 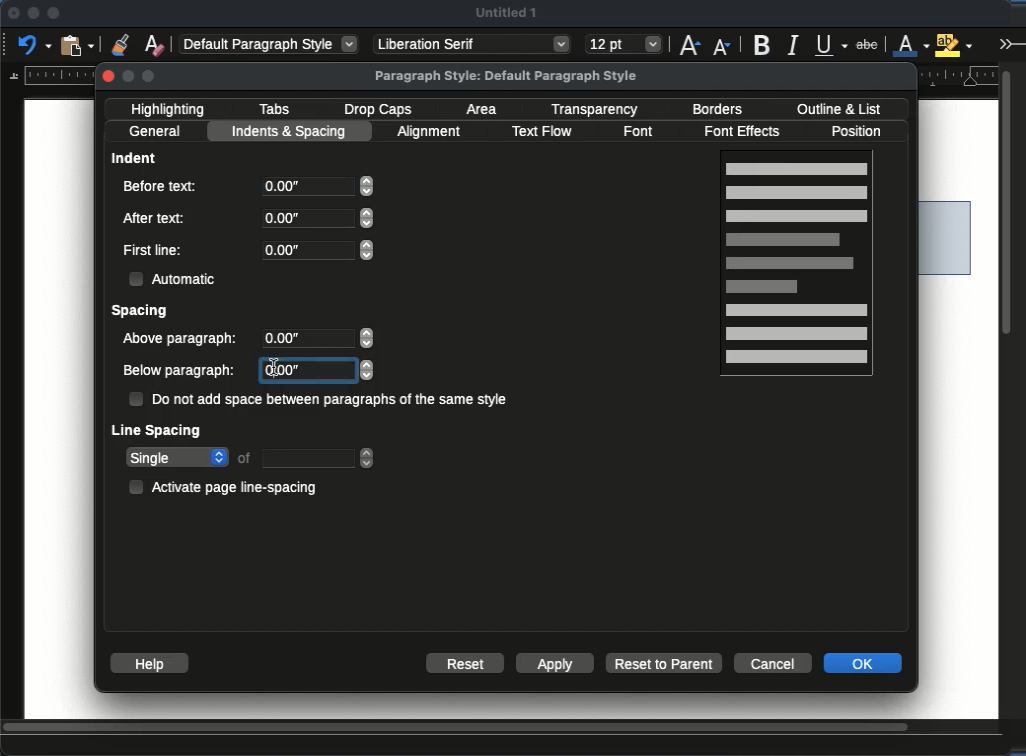 I want to click on single, so click(x=177, y=459).